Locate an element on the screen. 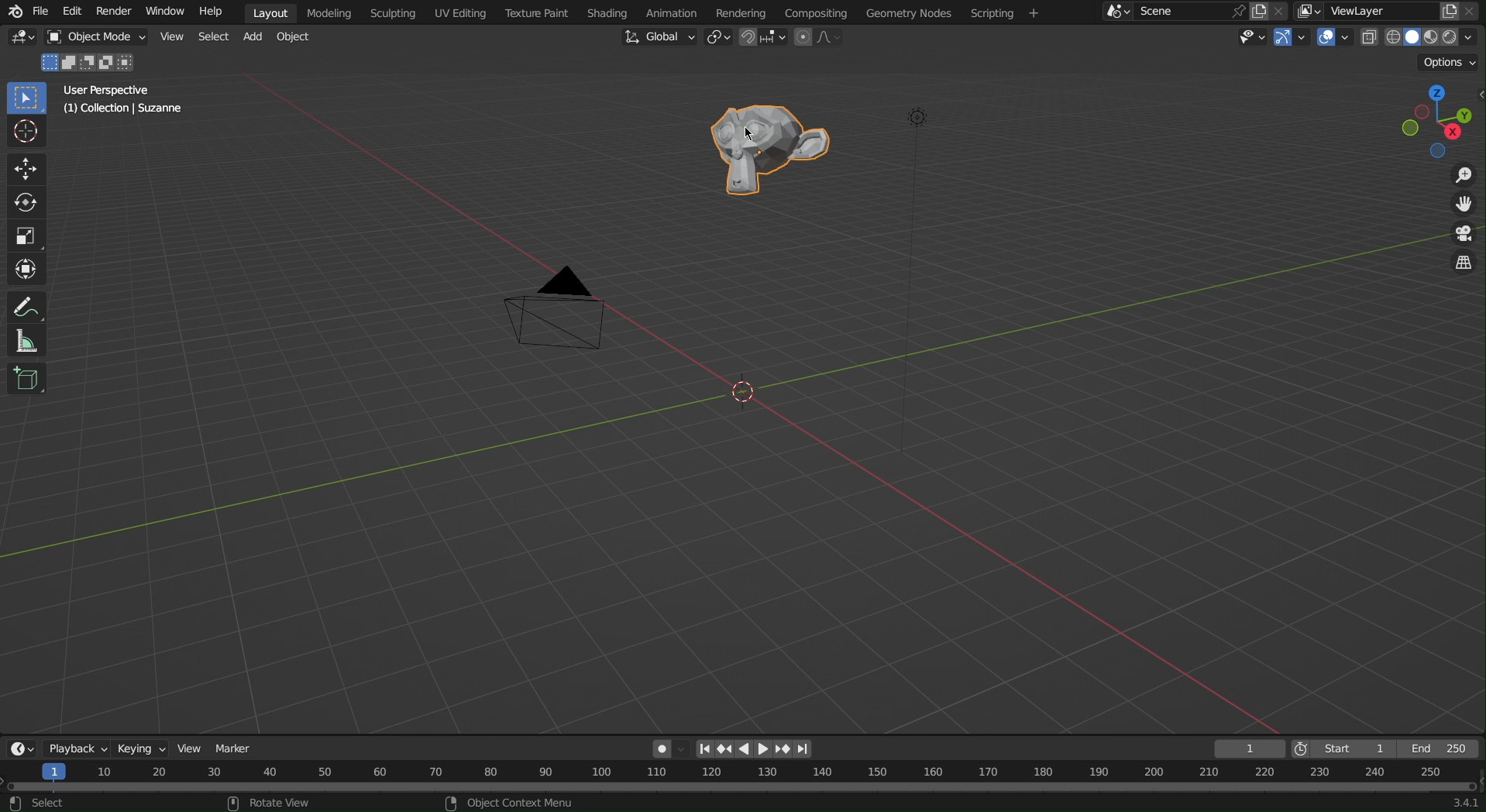 Image resolution: width=1486 pixels, height=812 pixels. Show Gizmo is located at coordinates (1292, 37).